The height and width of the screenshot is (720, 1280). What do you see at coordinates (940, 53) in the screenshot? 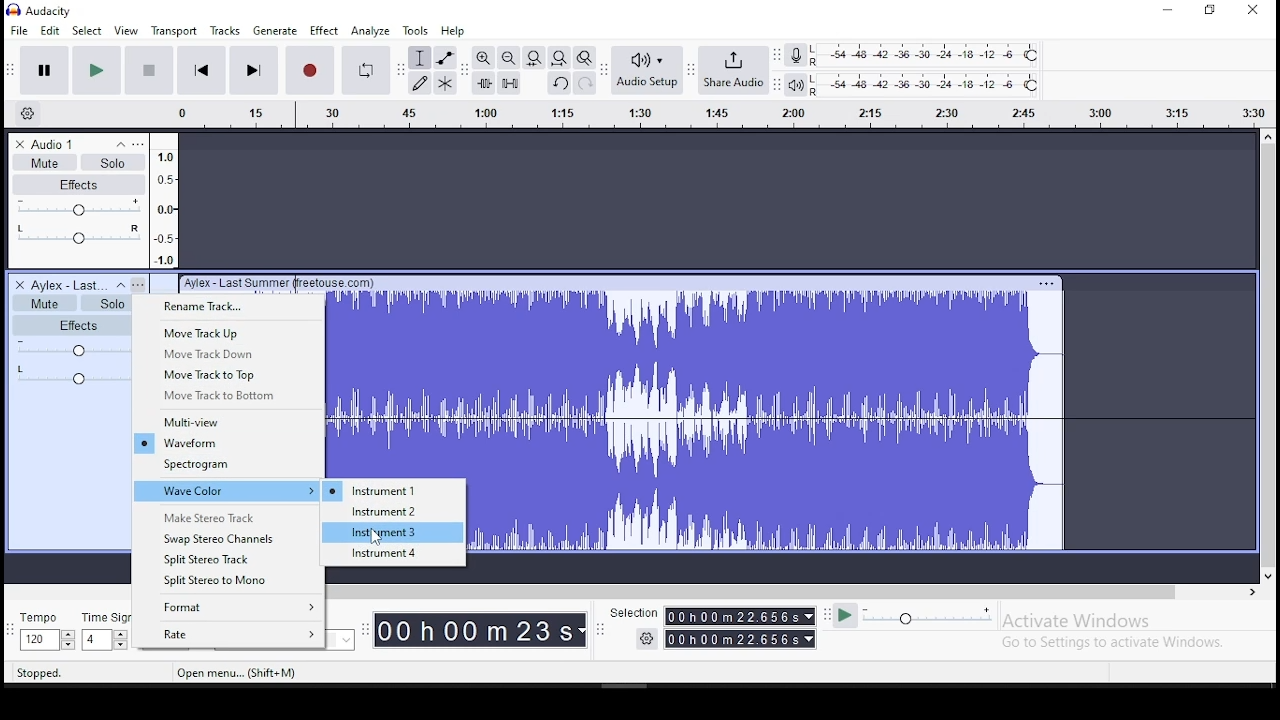
I see `record level` at bounding box center [940, 53].